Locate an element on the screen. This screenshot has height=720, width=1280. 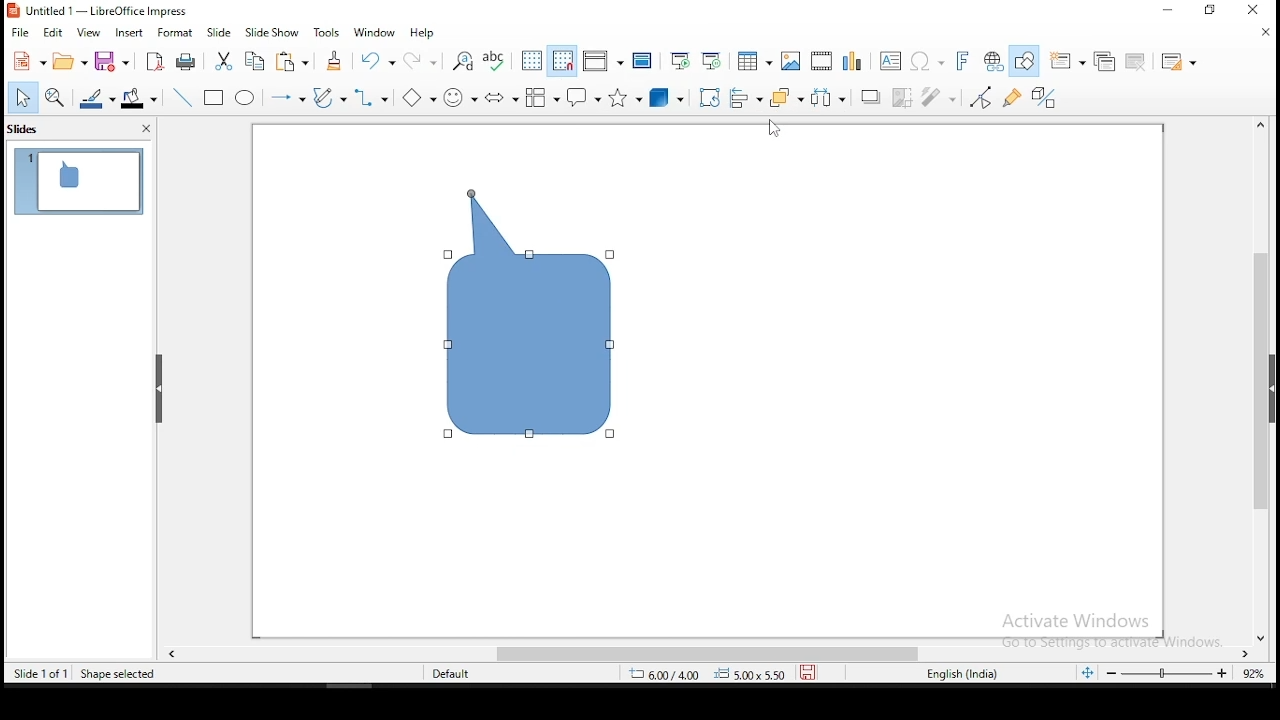
distribute is located at coordinates (829, 96).